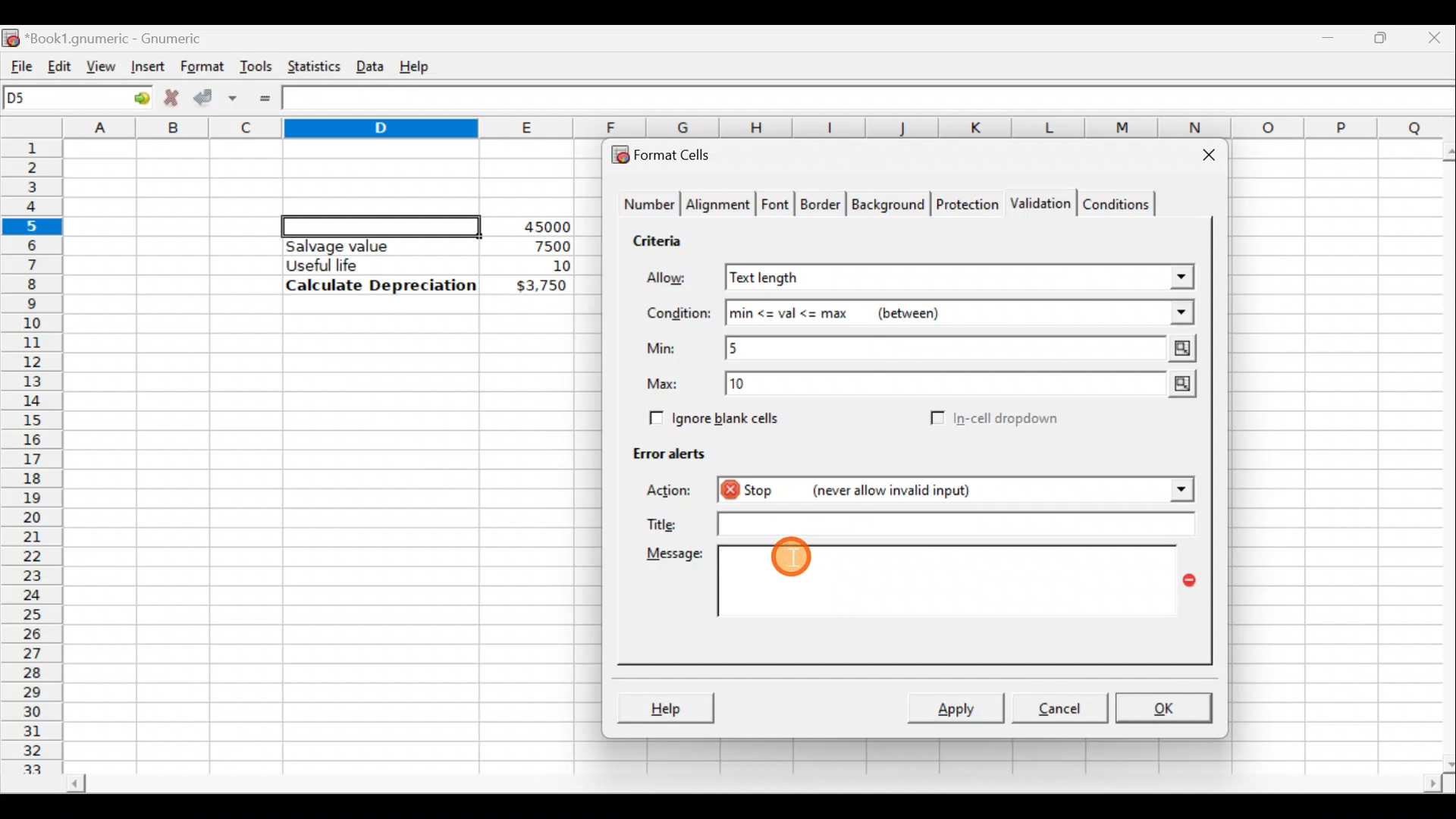 The image size is (1456, 819). I want to click on Maximize, so click(1384, 35).